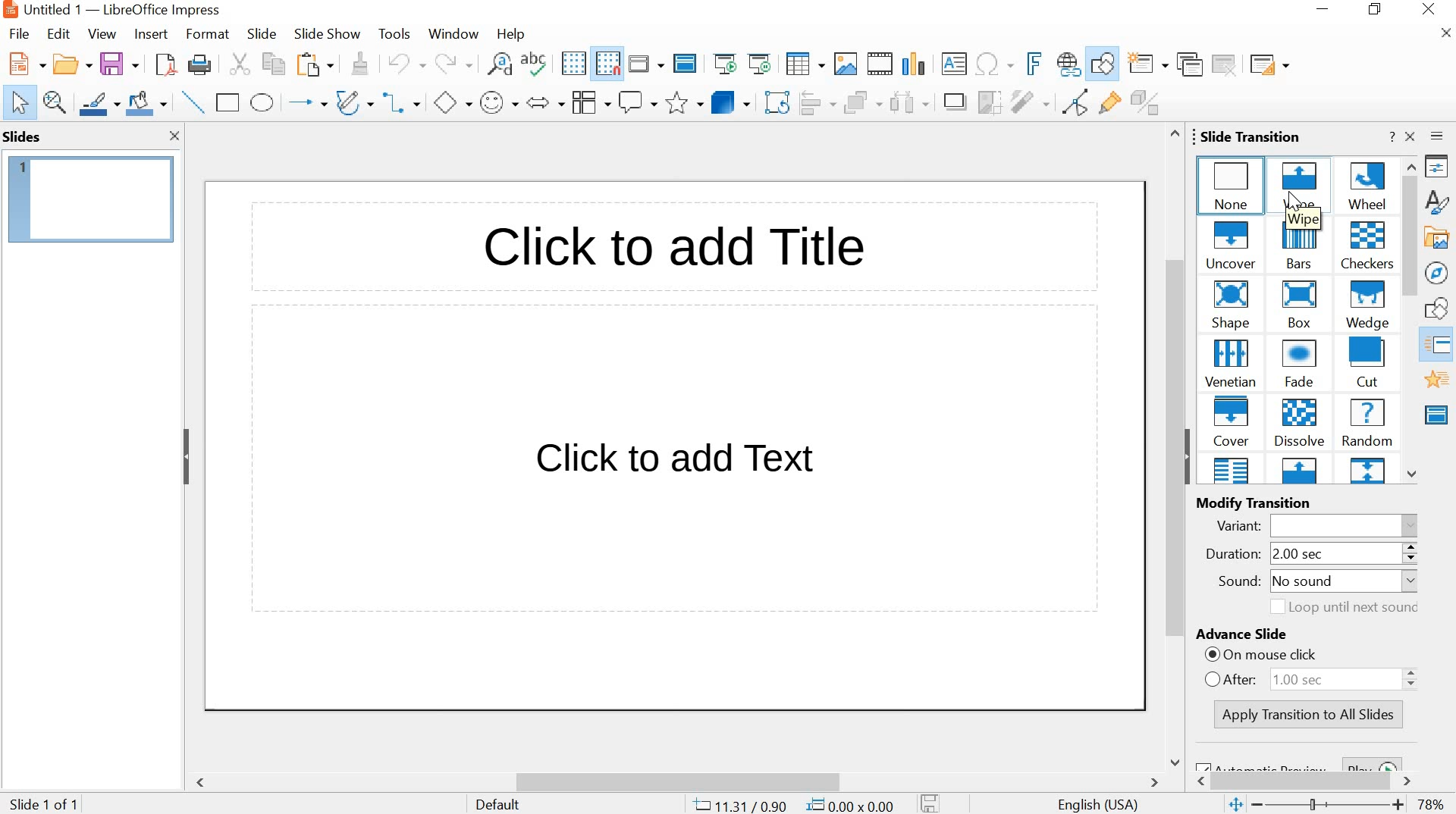 The height and width of the screenshot is (814, 1456). Describe the element at coordinates (173, 136) in the screenshot. I see `CLOSE` at that location.